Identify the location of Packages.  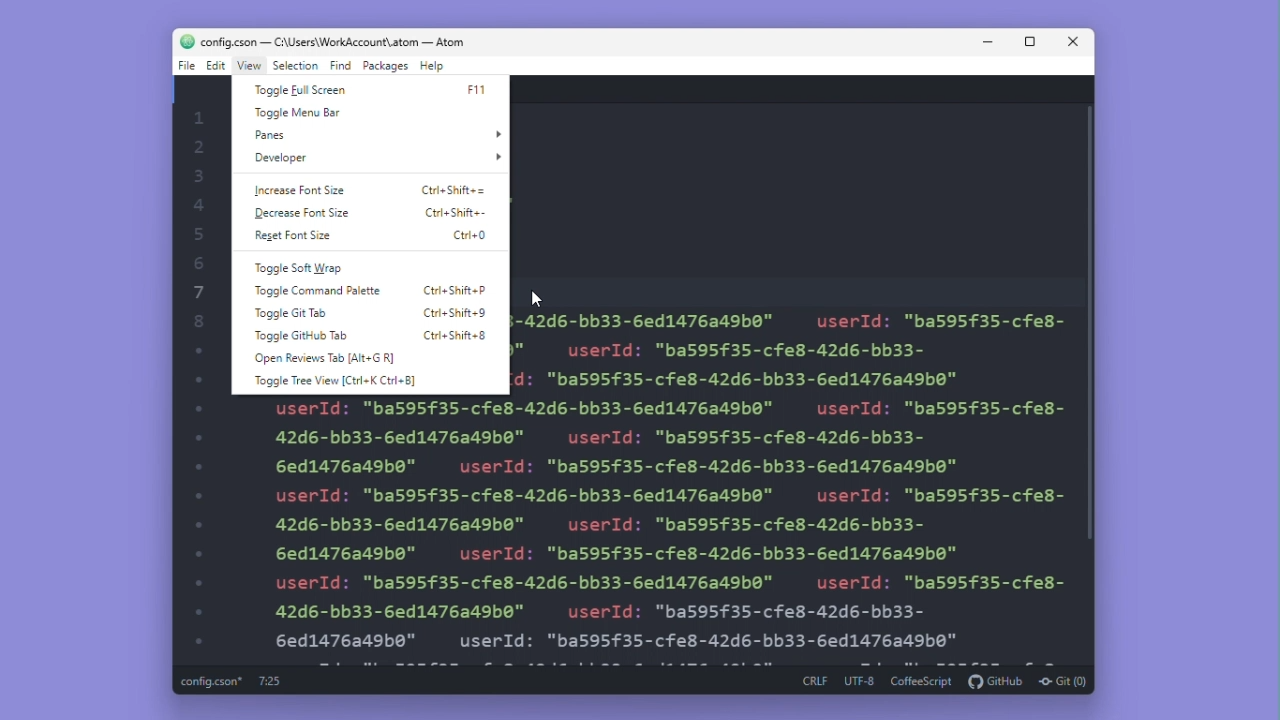
(385, 66).